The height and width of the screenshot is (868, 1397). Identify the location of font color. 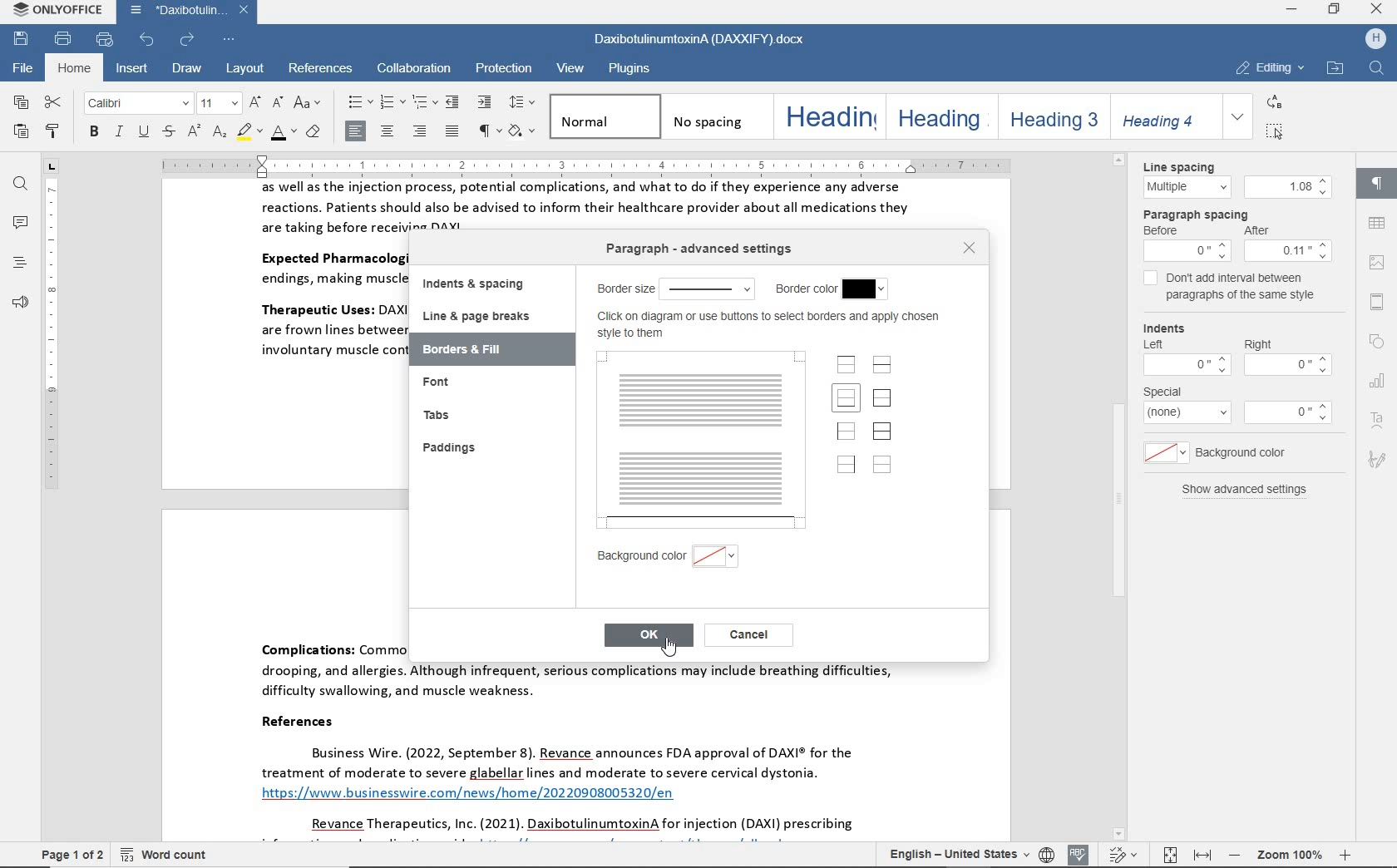
(283, 135).